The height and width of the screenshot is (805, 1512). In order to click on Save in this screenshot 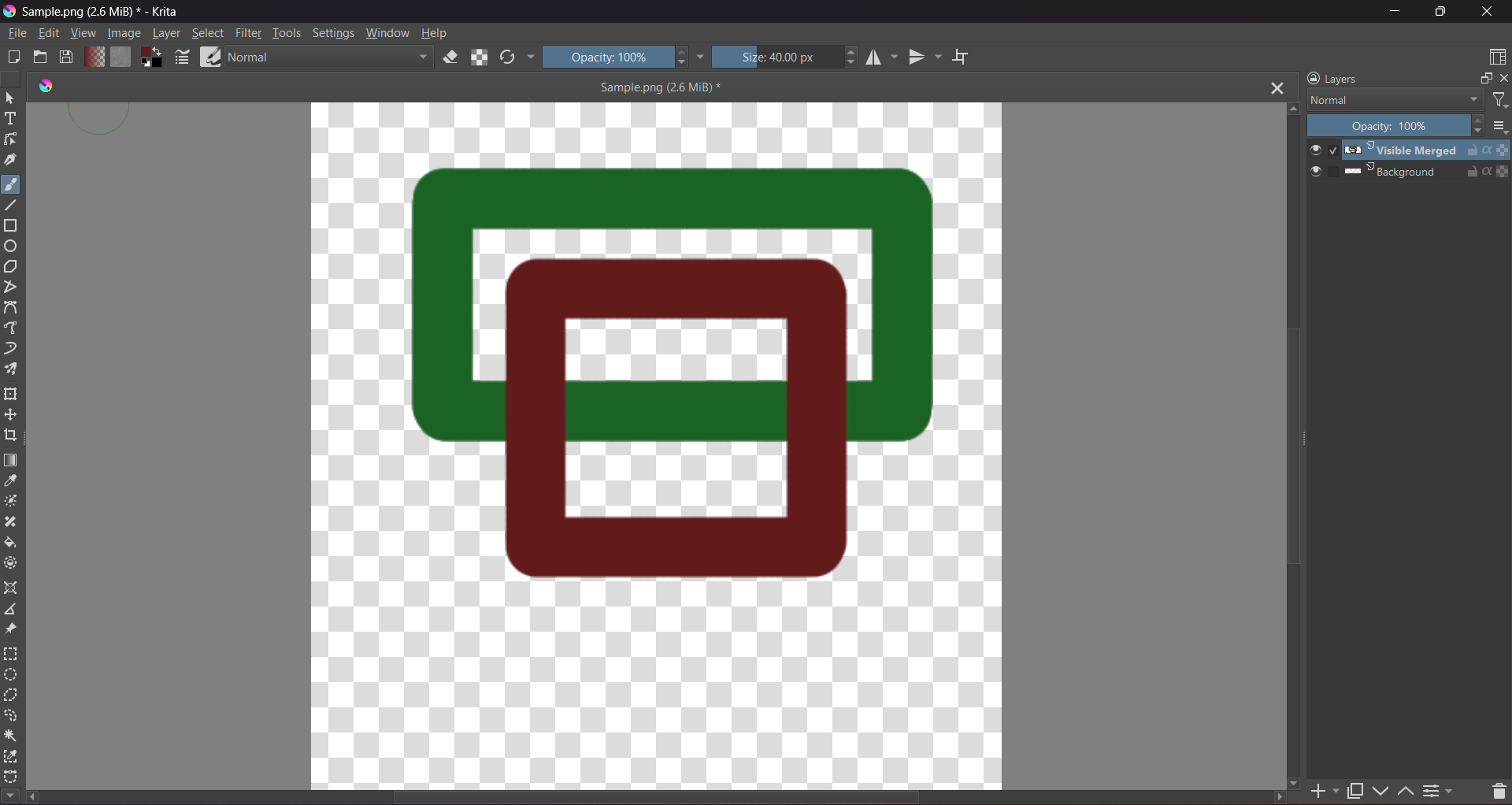, I will do `click(66, 57)`.